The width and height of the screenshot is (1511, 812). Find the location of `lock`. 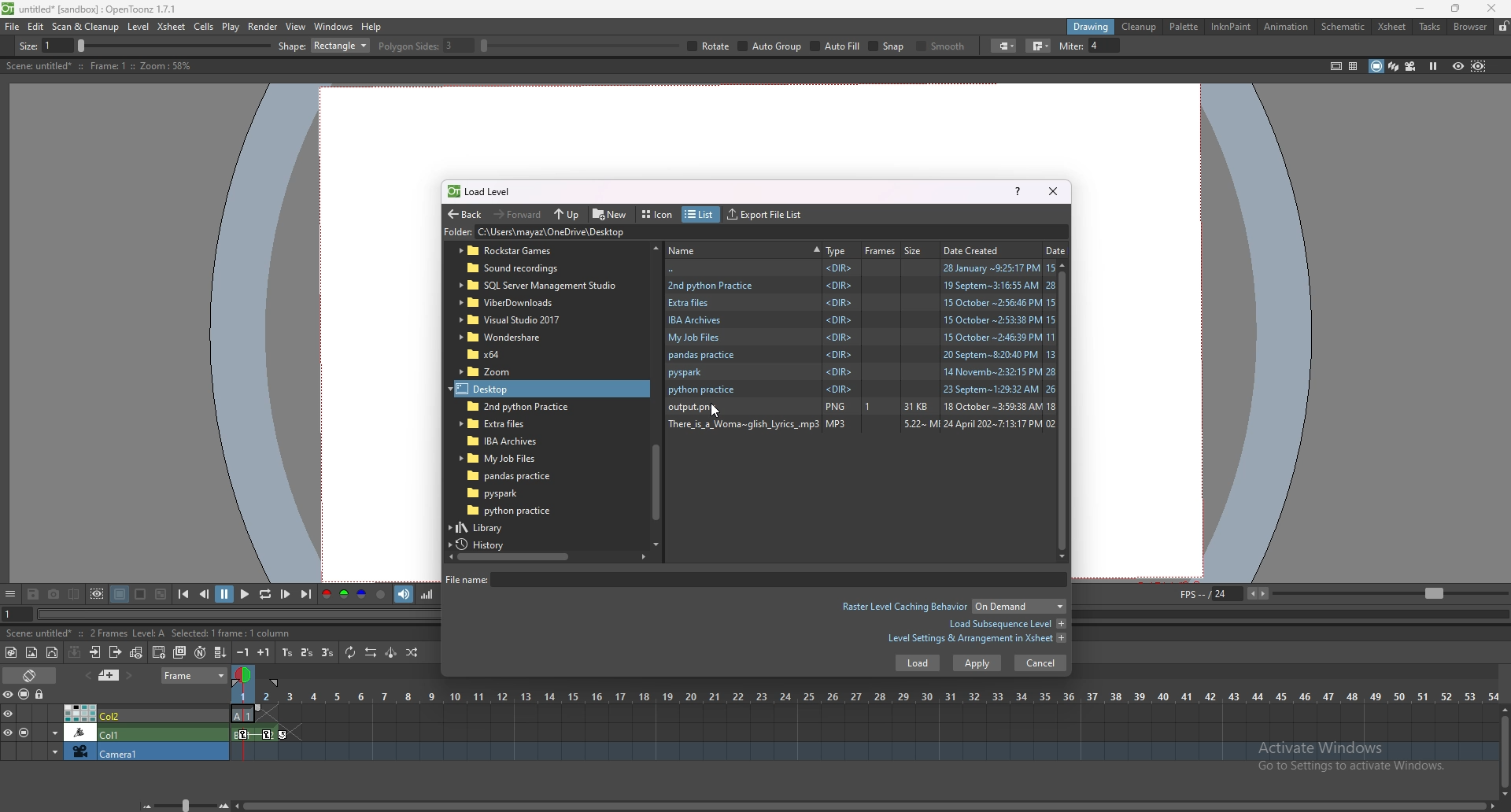

lock is located at coordinates (1503, 26).